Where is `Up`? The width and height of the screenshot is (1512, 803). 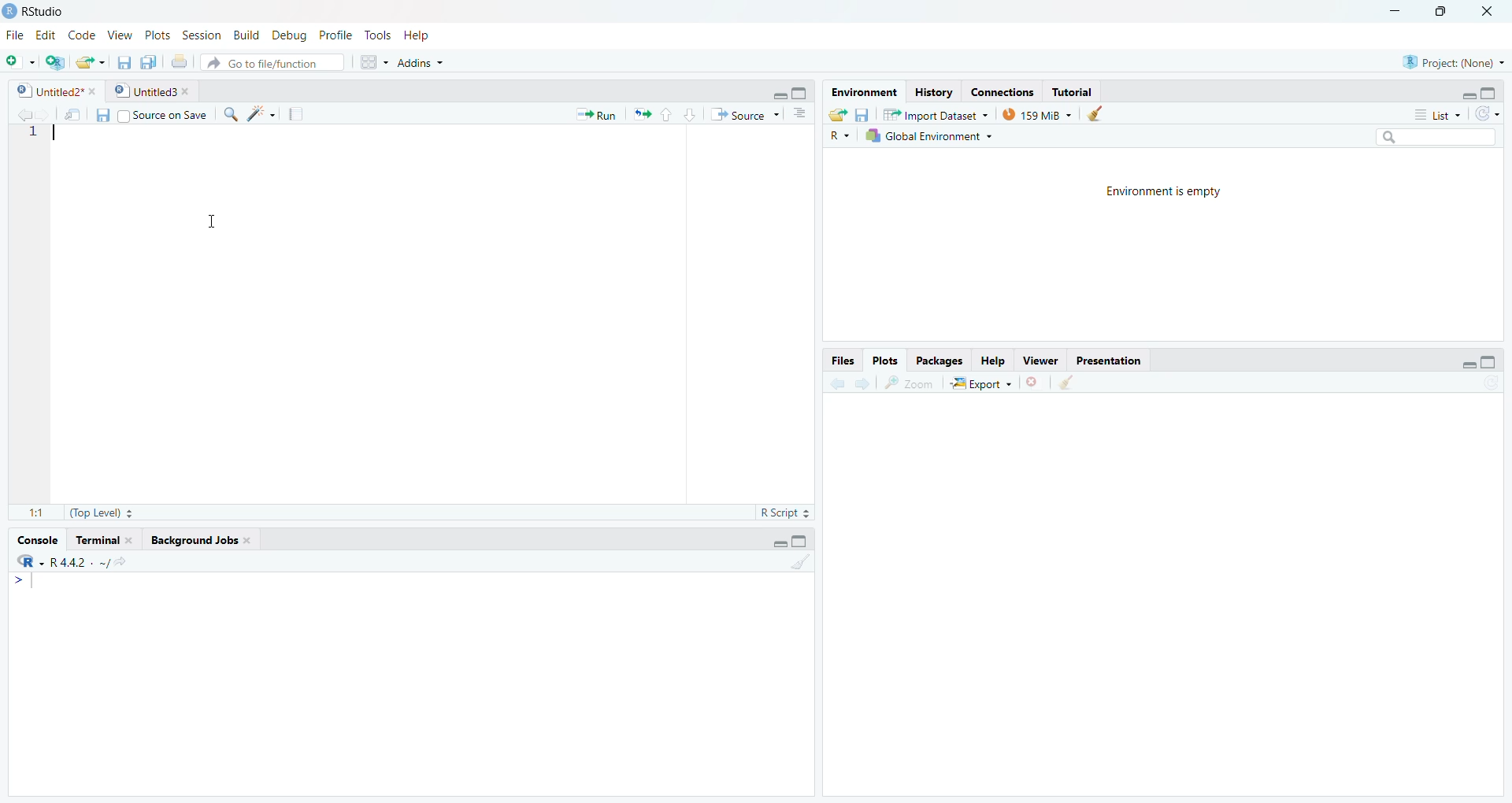
Up is located at coordinates (665, 115).